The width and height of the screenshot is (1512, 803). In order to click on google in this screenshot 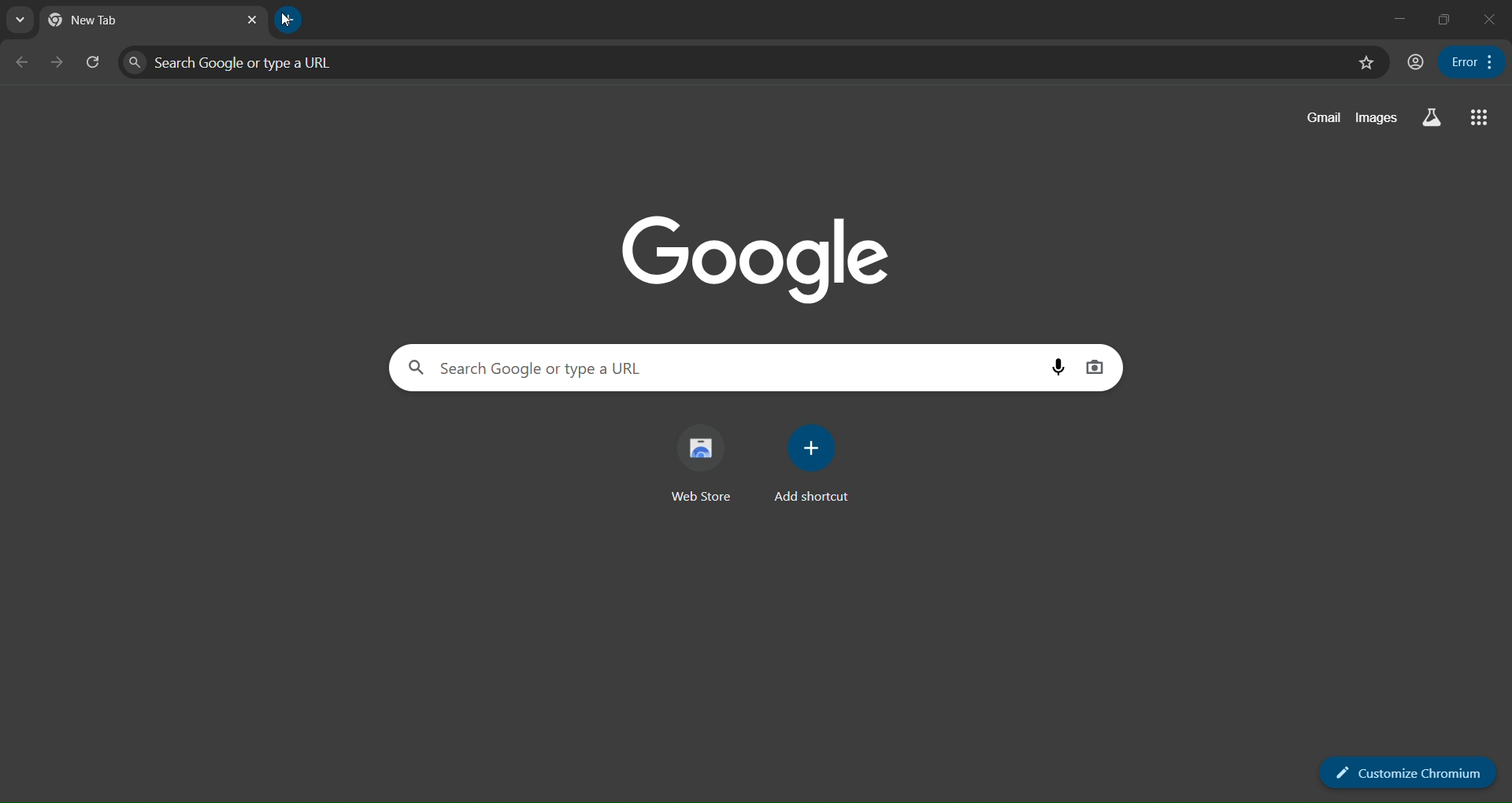, I will do `click(750, 253)`.